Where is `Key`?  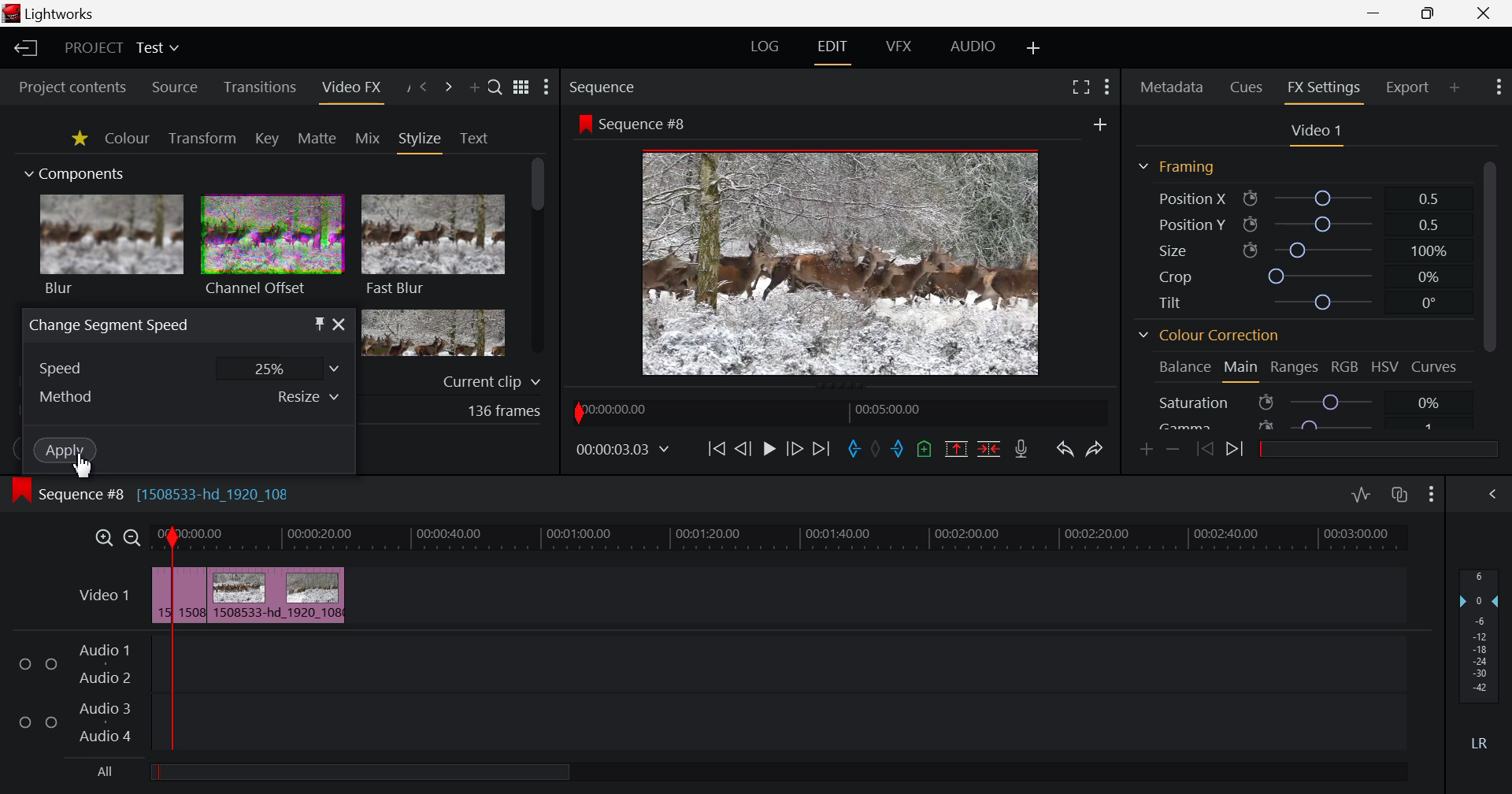 Key is located at coordinates (266, 139).